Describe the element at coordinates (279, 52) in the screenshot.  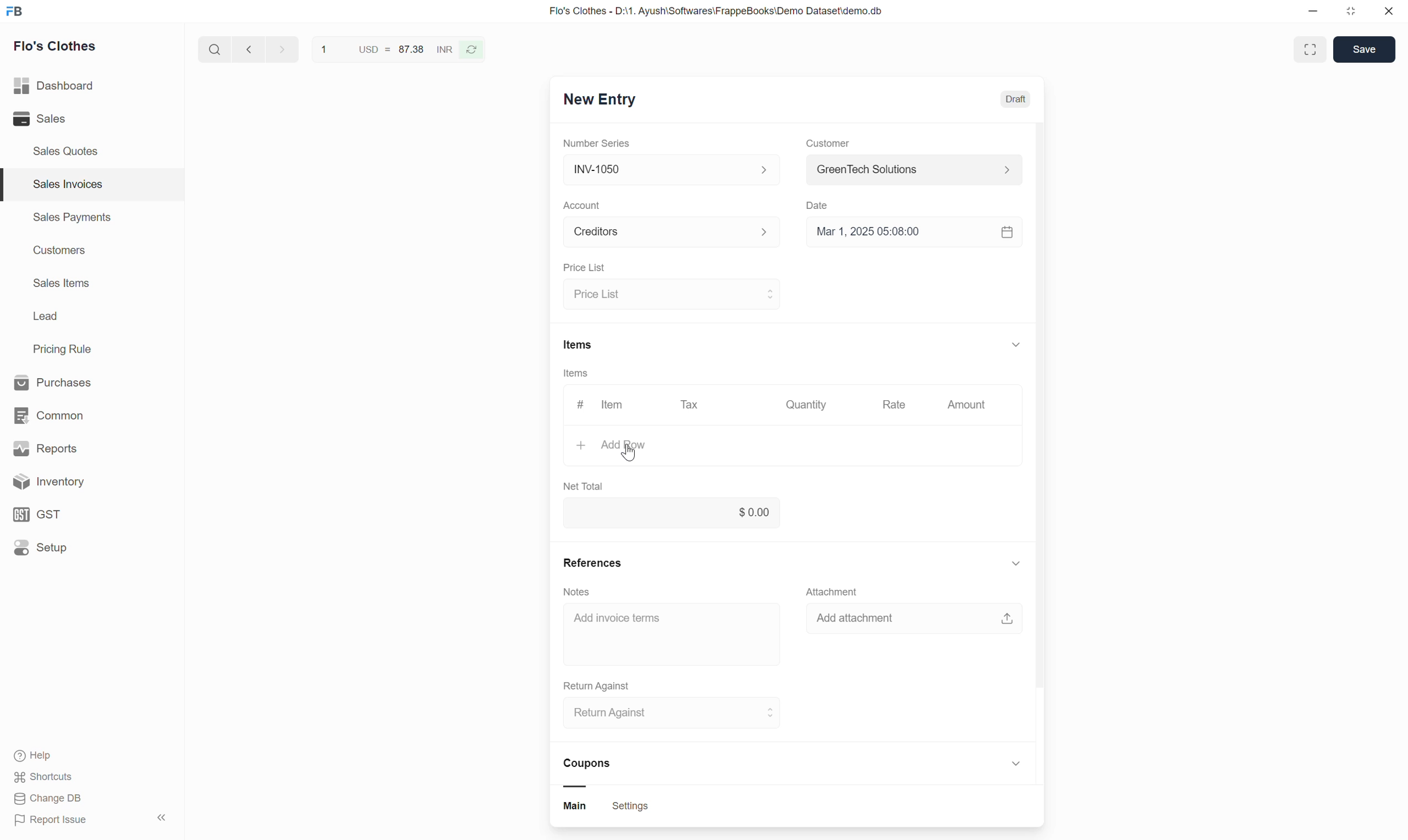
I see `go forward ` at that location.